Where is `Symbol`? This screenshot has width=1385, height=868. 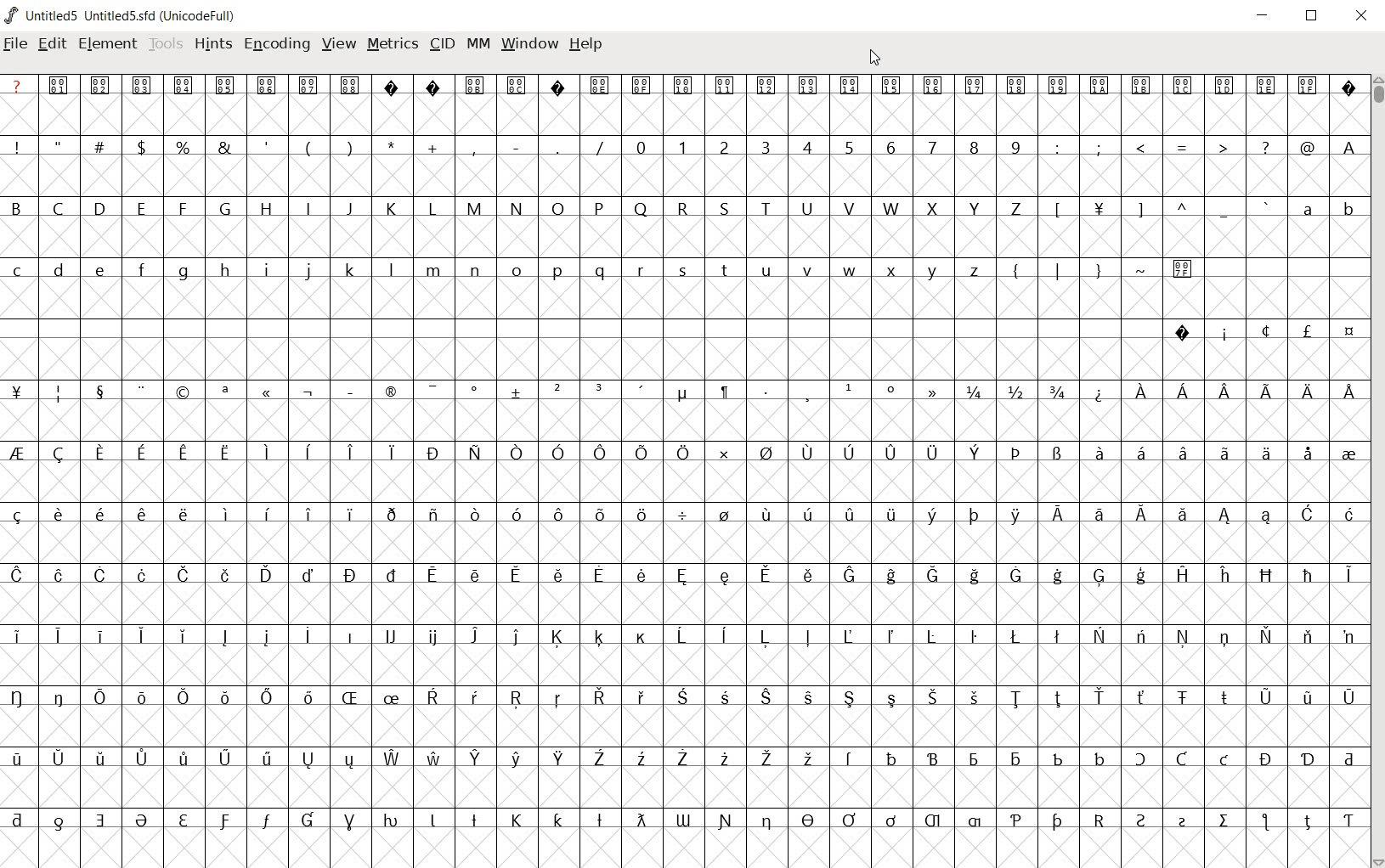 Symbol is located at coordinates (599, 517).